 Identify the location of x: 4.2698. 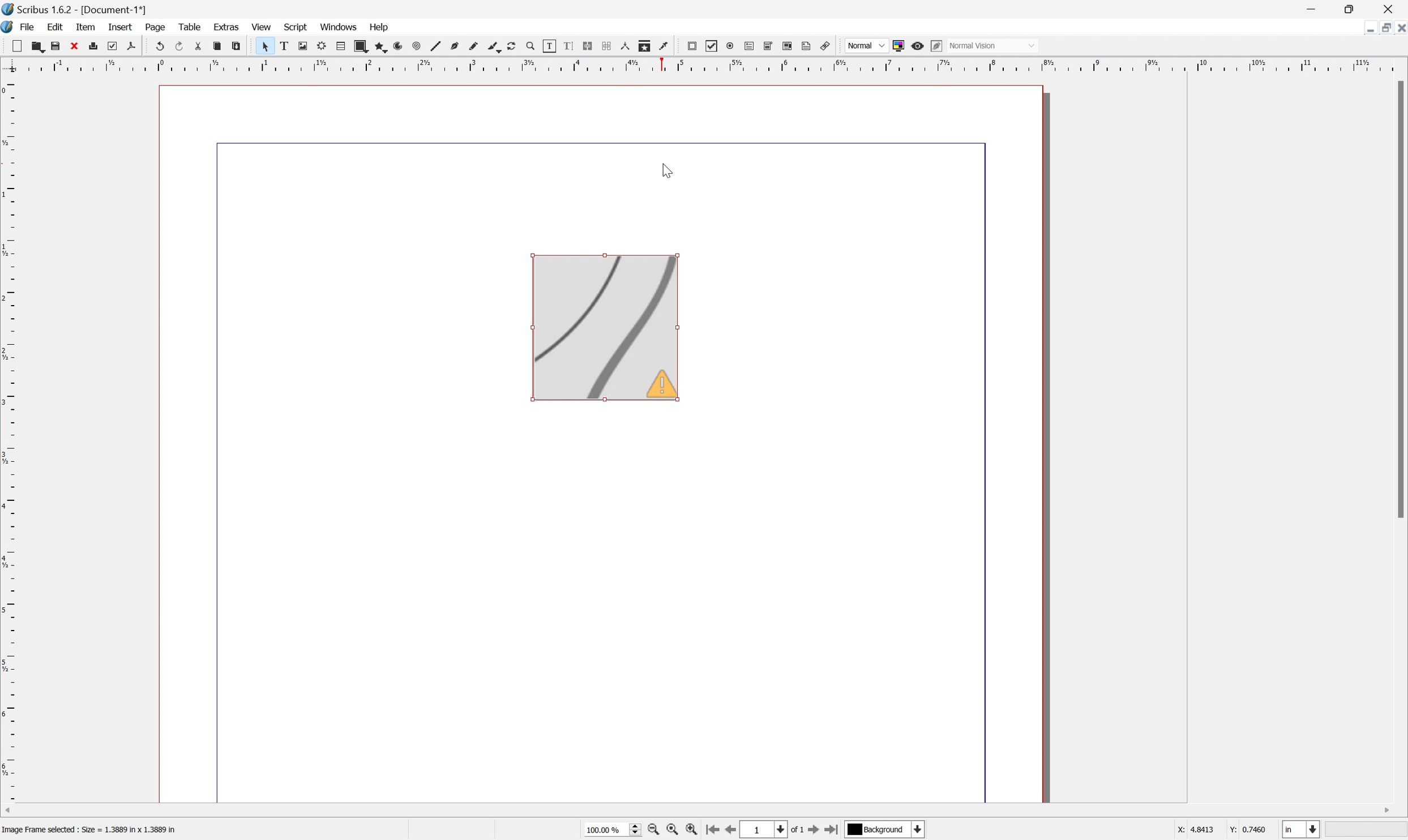
(1192, 830).